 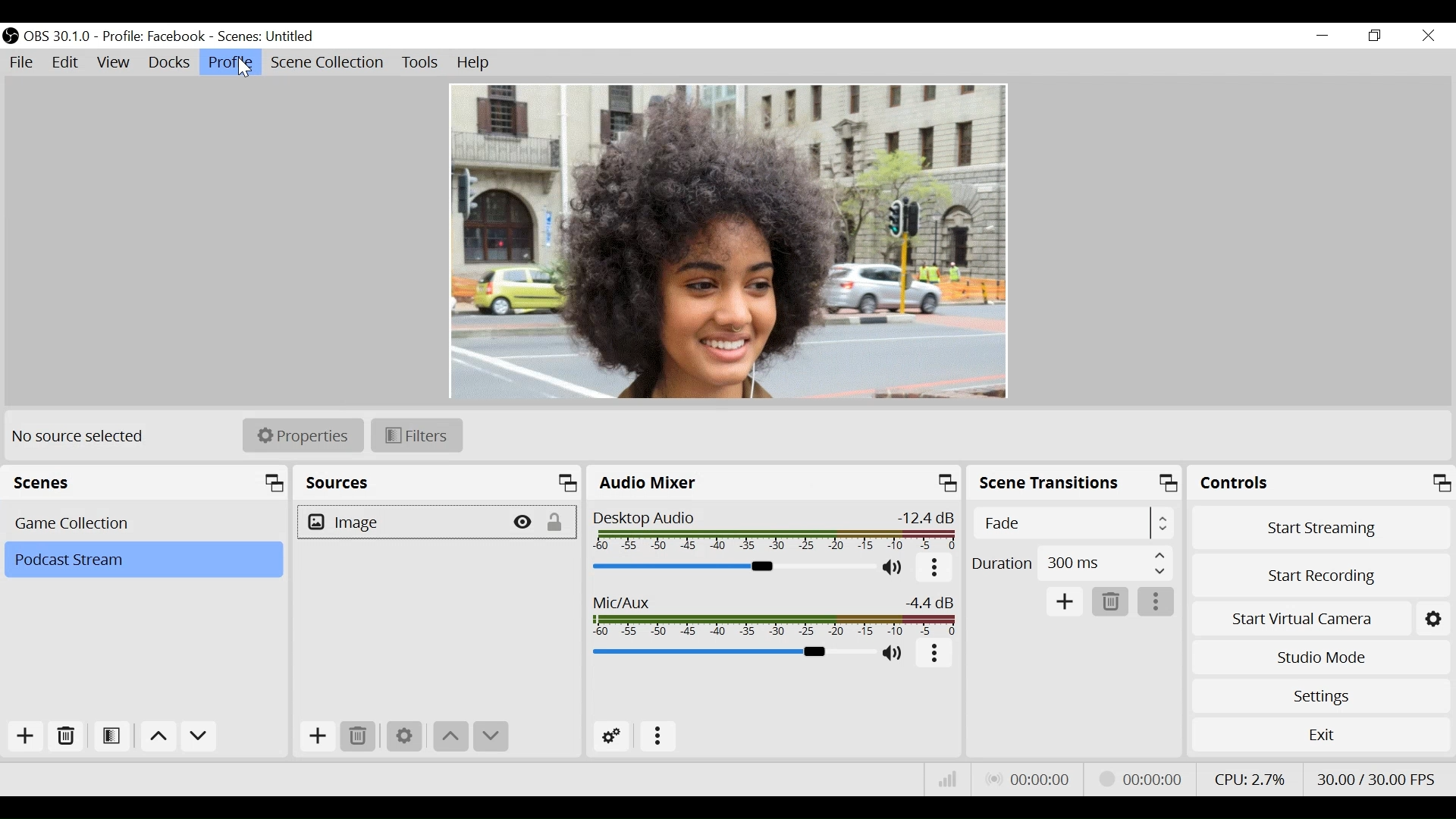 What do you see at coordinates (611, 736) in the screenshot?
I see `Advanced Audio Settings` at bounding box center [611, 736].